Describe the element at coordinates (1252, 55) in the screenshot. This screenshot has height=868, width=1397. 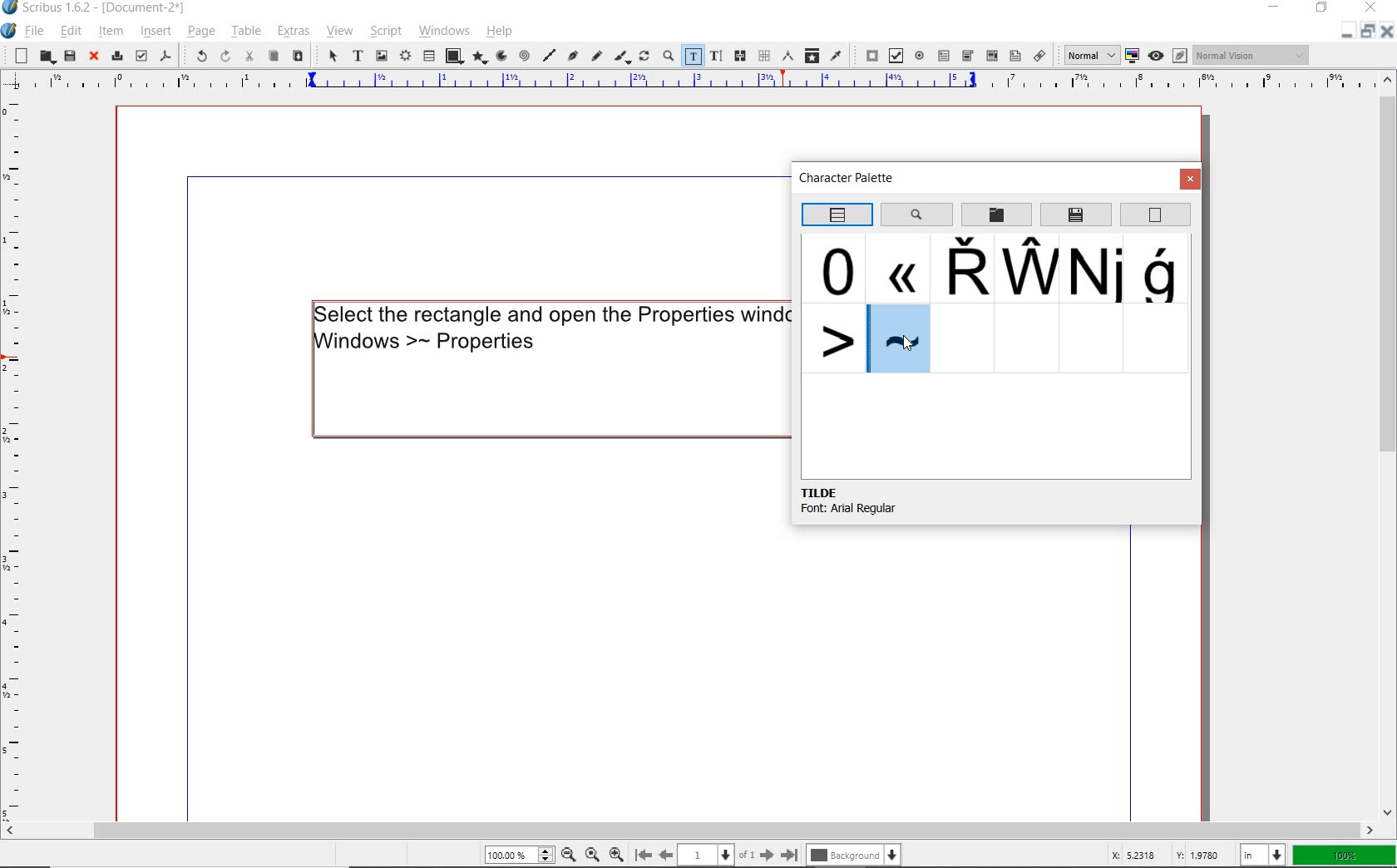
I see `Normal Vision` at that location.